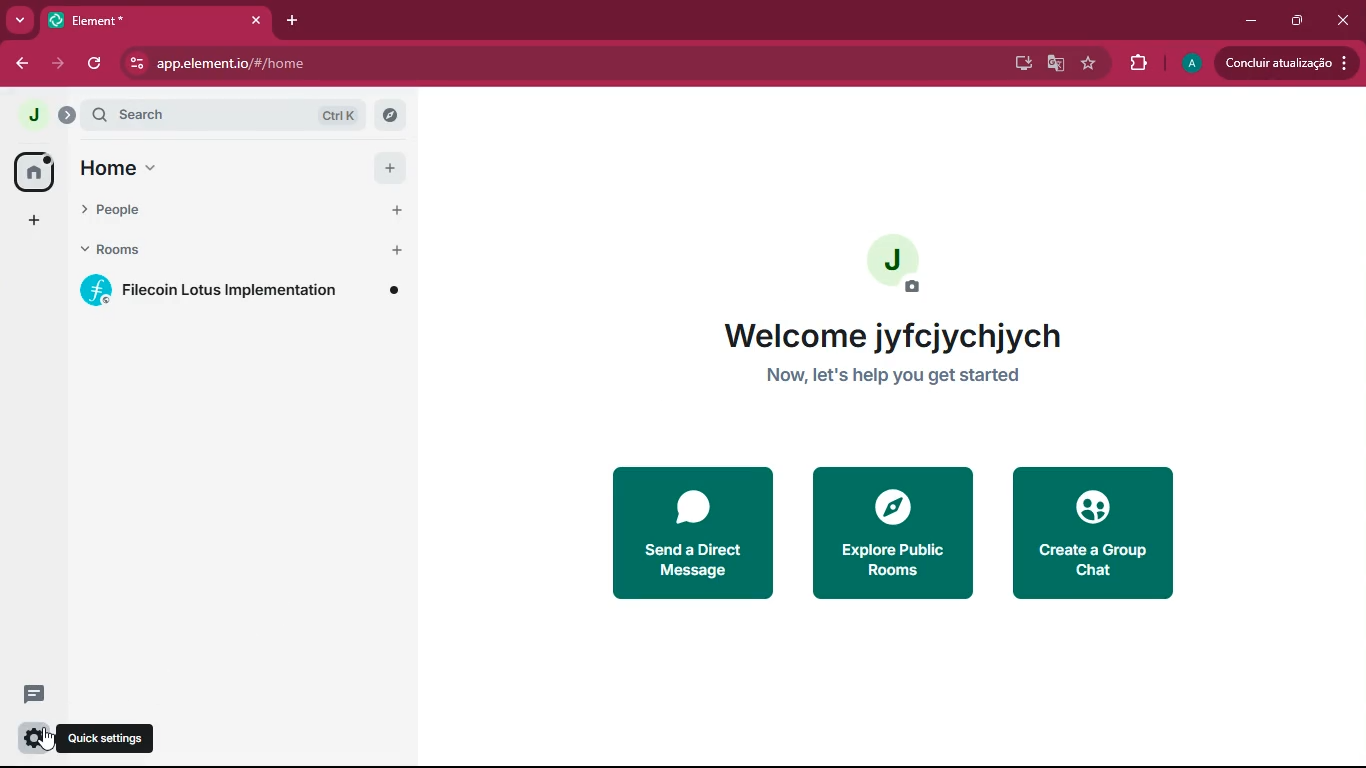 The width and height of the screenshot is (1366, 768). I want to click on rooms, so click(209, 250).